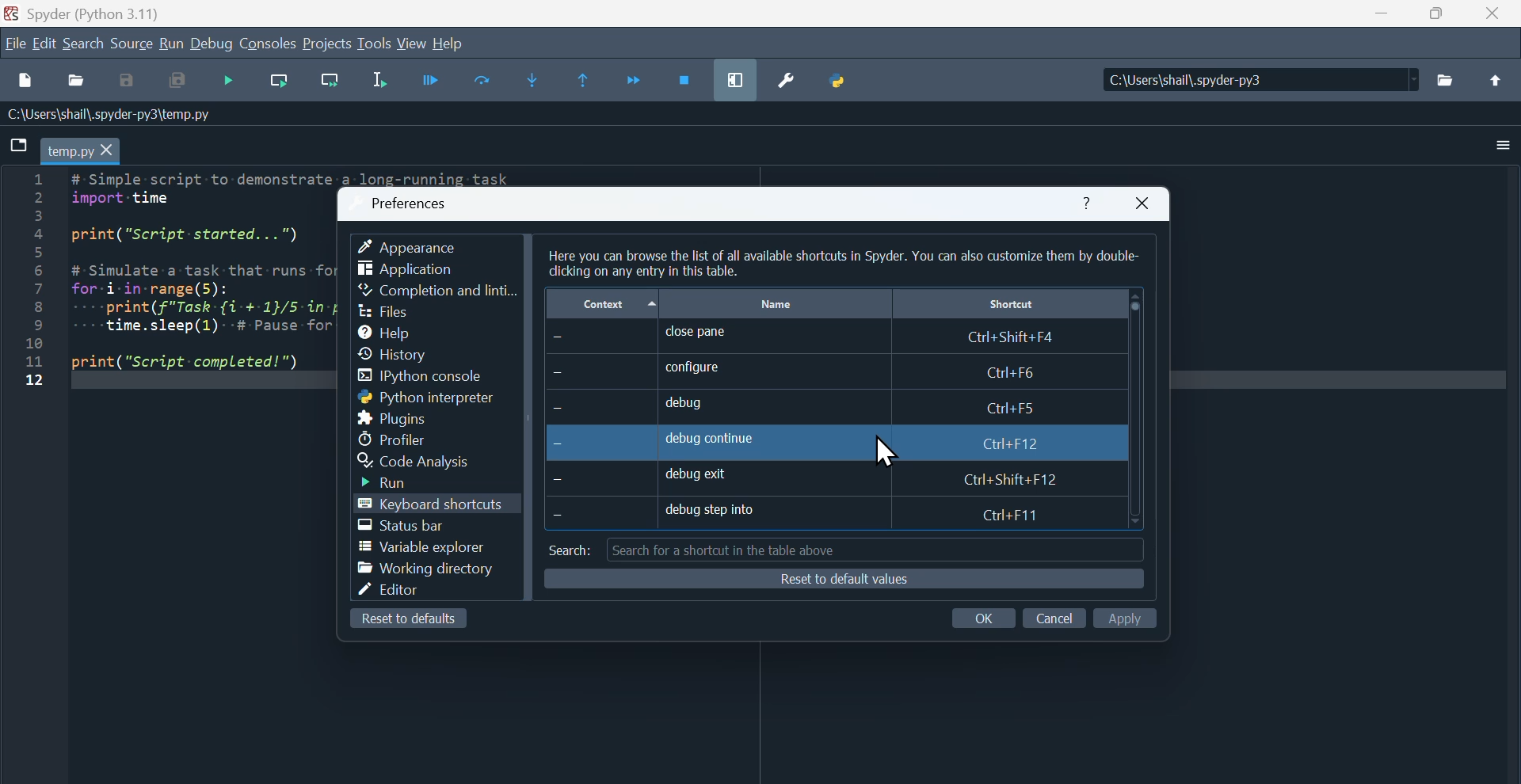 This screenshot has width=1521, height=784. Describe the element at coordinates (13, 43) in the screenshot. I see `File` at that location.